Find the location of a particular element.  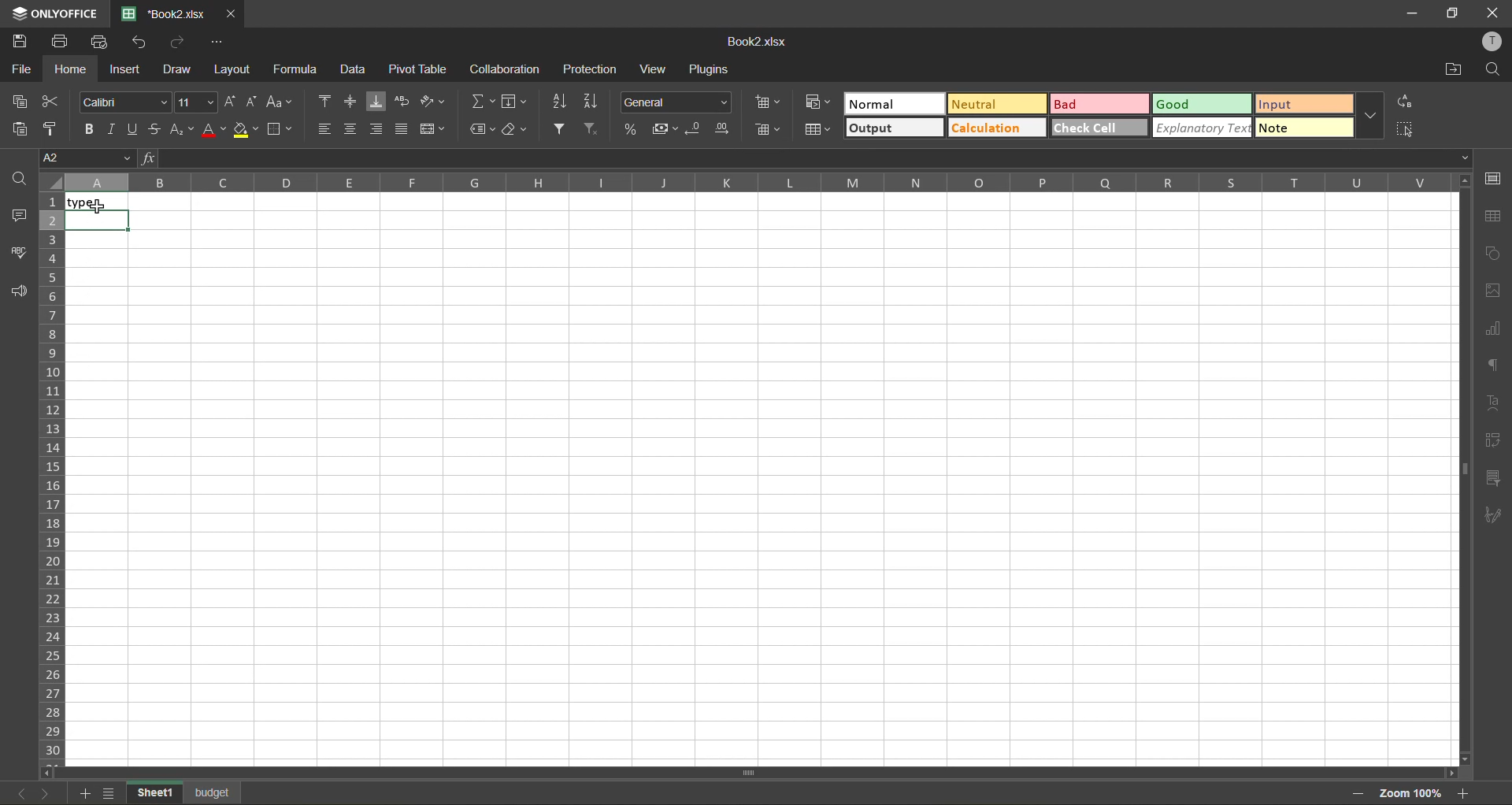

font color is located at coordinates (213, 130).